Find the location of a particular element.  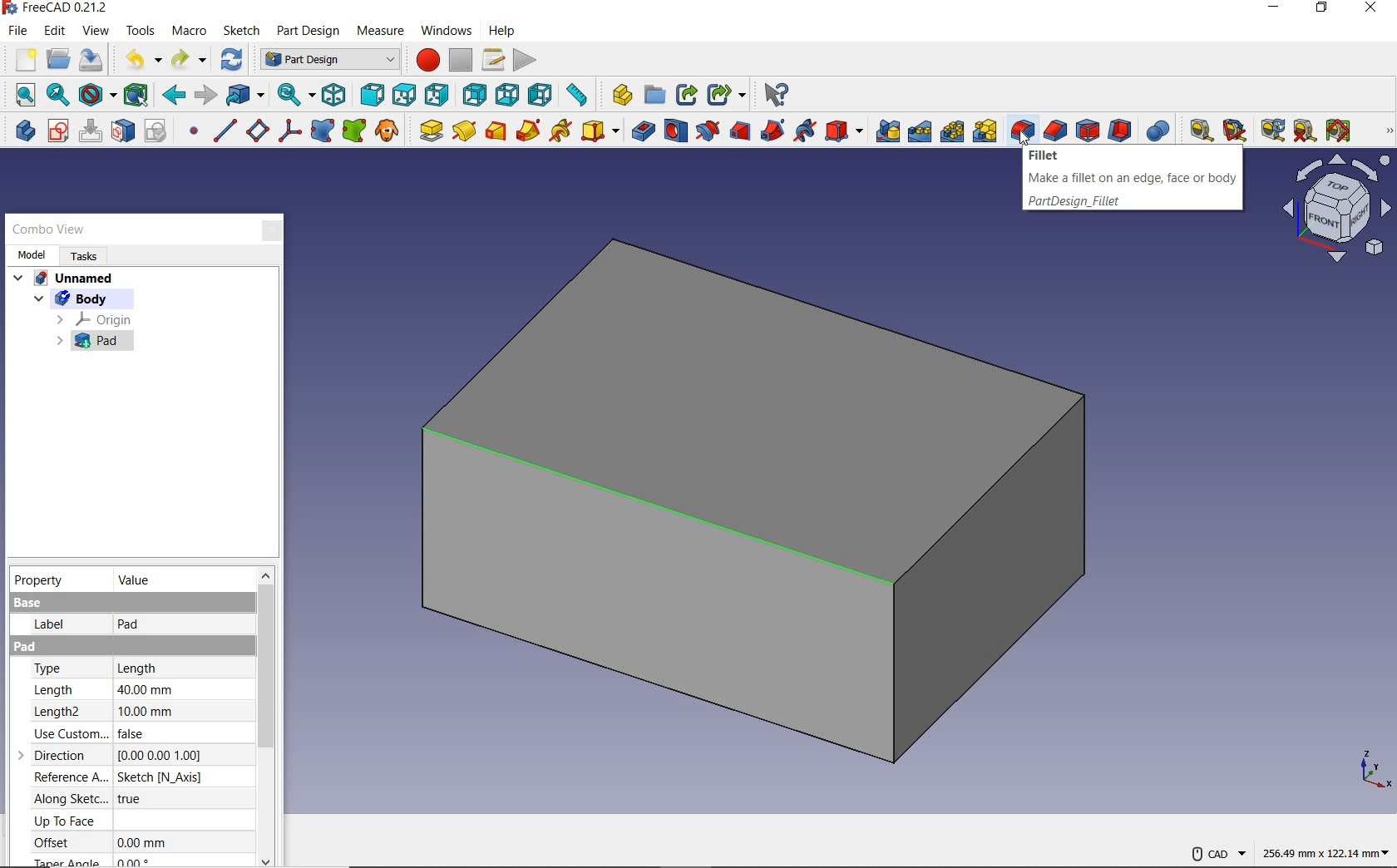

switch between workbenches is located at coordinates (329, 60).